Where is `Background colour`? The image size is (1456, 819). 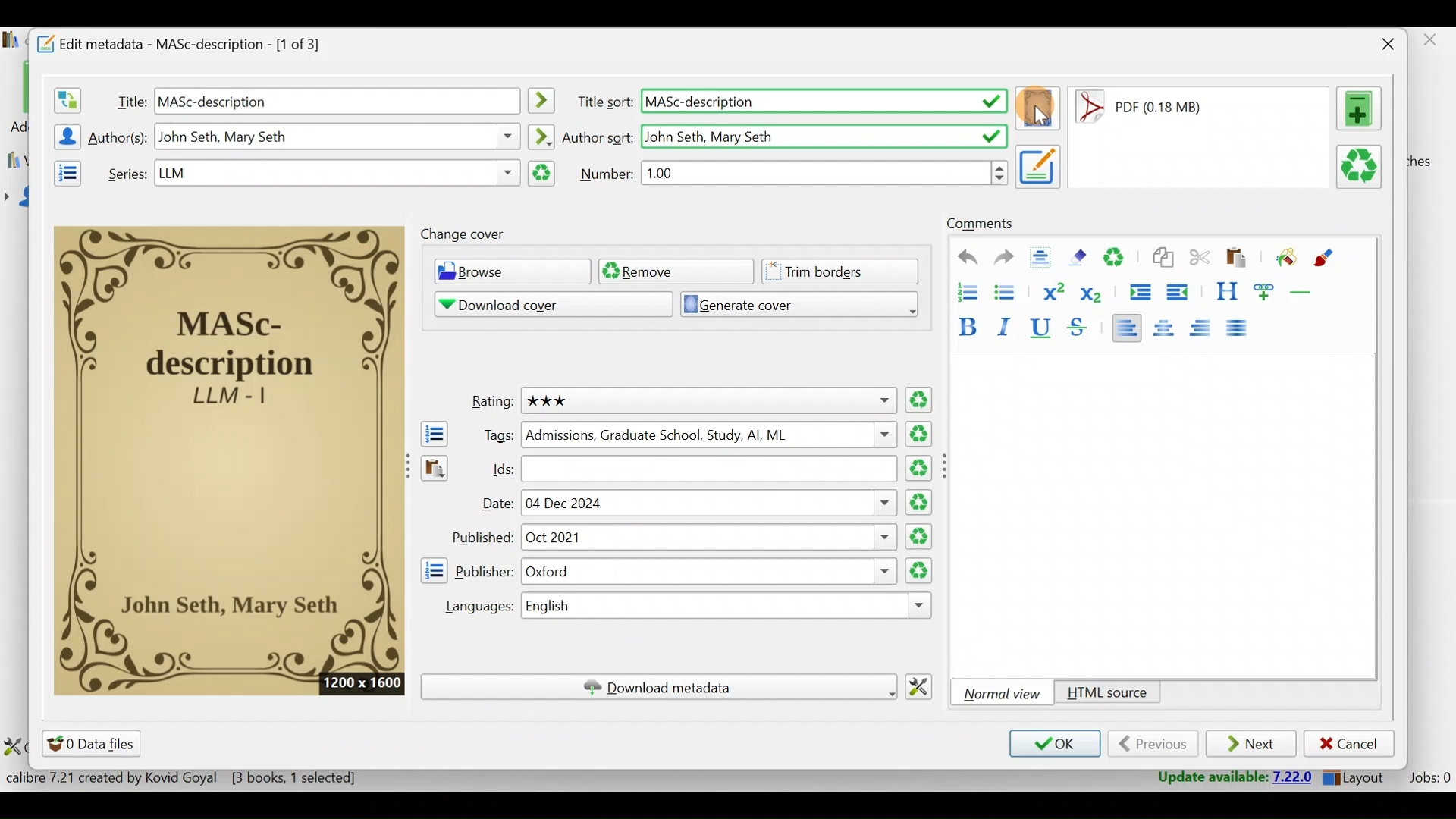 Background colour is located at coordinates (1284, 259).